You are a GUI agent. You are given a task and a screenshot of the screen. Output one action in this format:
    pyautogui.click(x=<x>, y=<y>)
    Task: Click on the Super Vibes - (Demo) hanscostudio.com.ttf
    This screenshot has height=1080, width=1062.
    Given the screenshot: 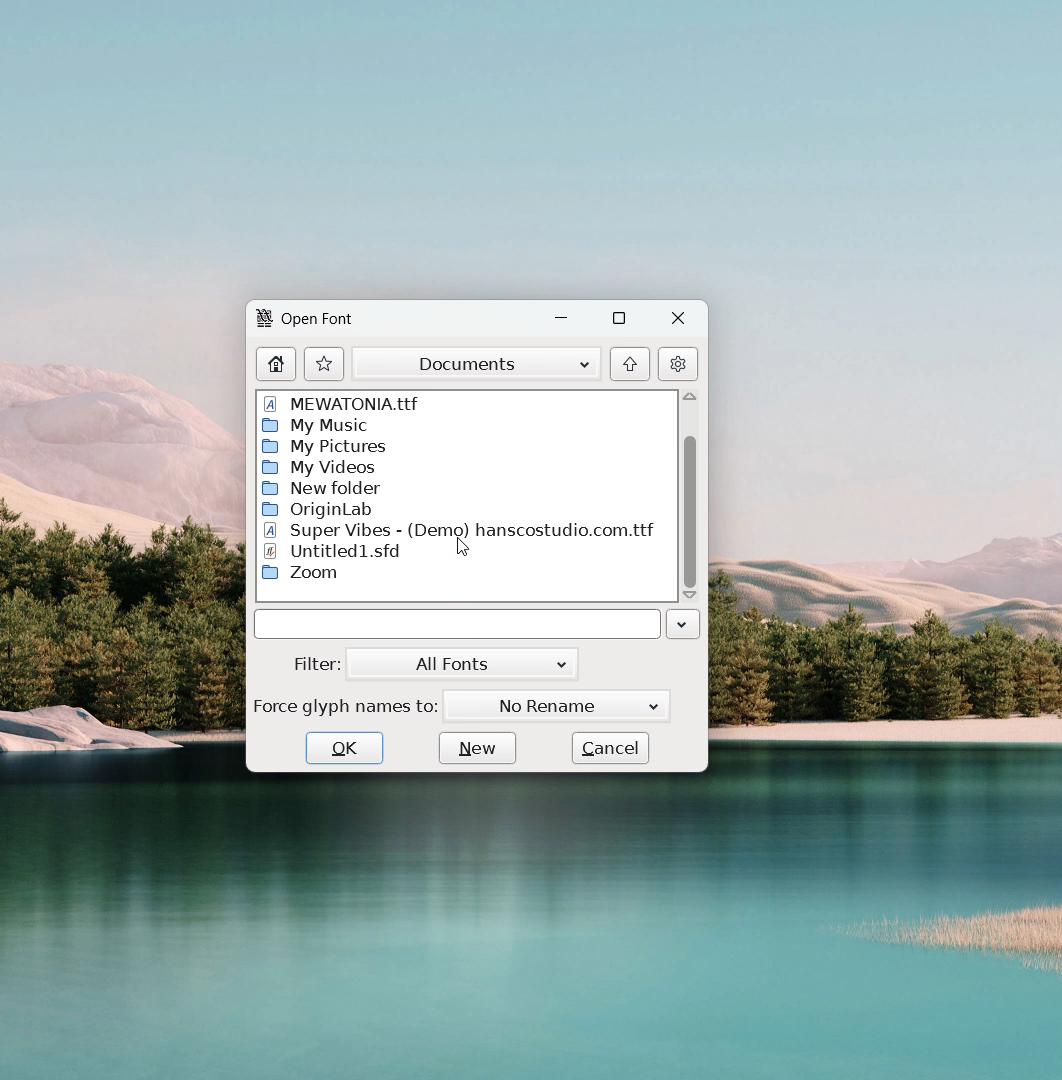 What is the action you would take?
    pyautogui.click(x=467, y=532)
    